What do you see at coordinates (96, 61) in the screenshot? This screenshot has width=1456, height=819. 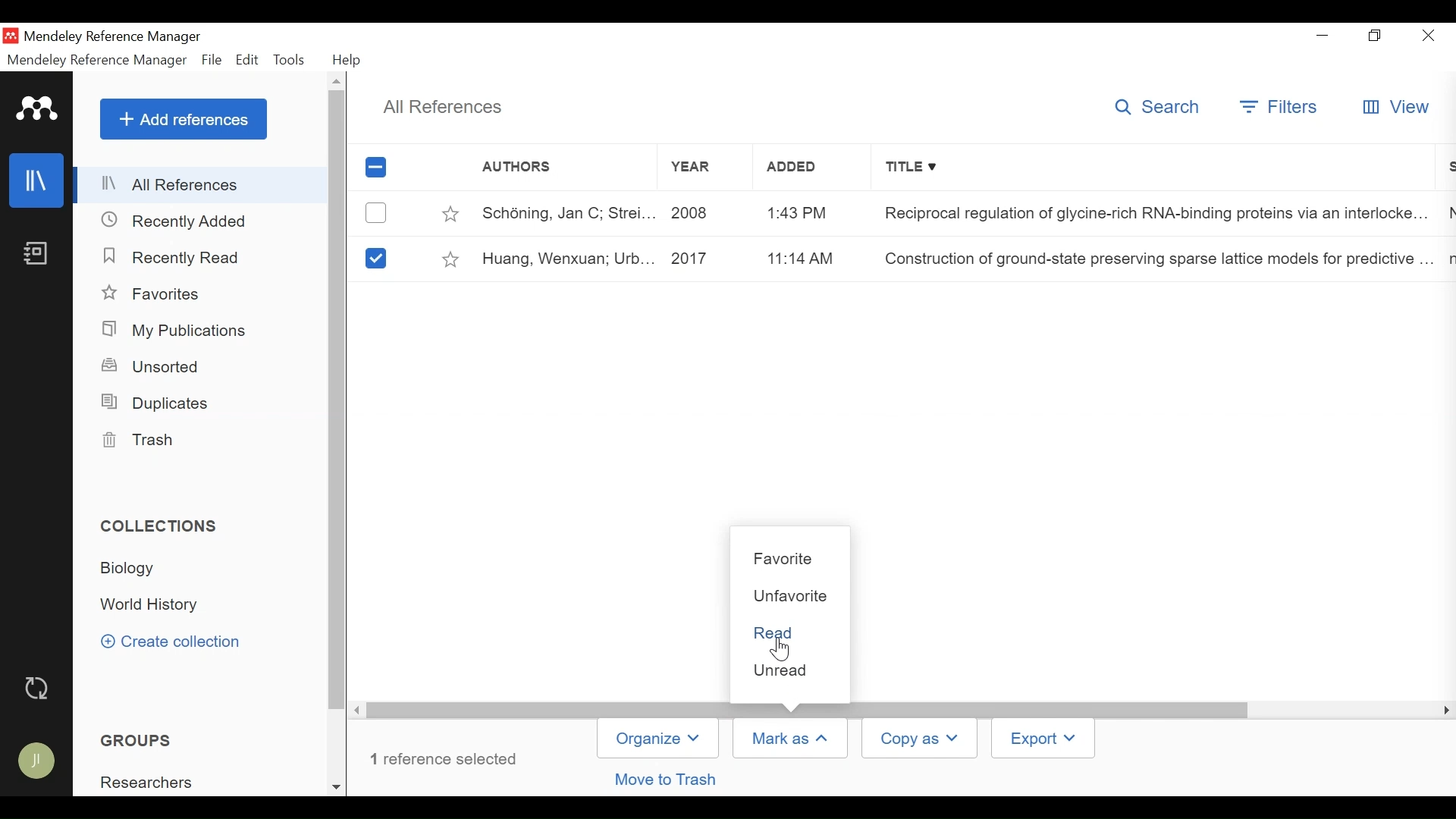 I see `Mendeley Reference Manager` at bounding box center [96, 61].